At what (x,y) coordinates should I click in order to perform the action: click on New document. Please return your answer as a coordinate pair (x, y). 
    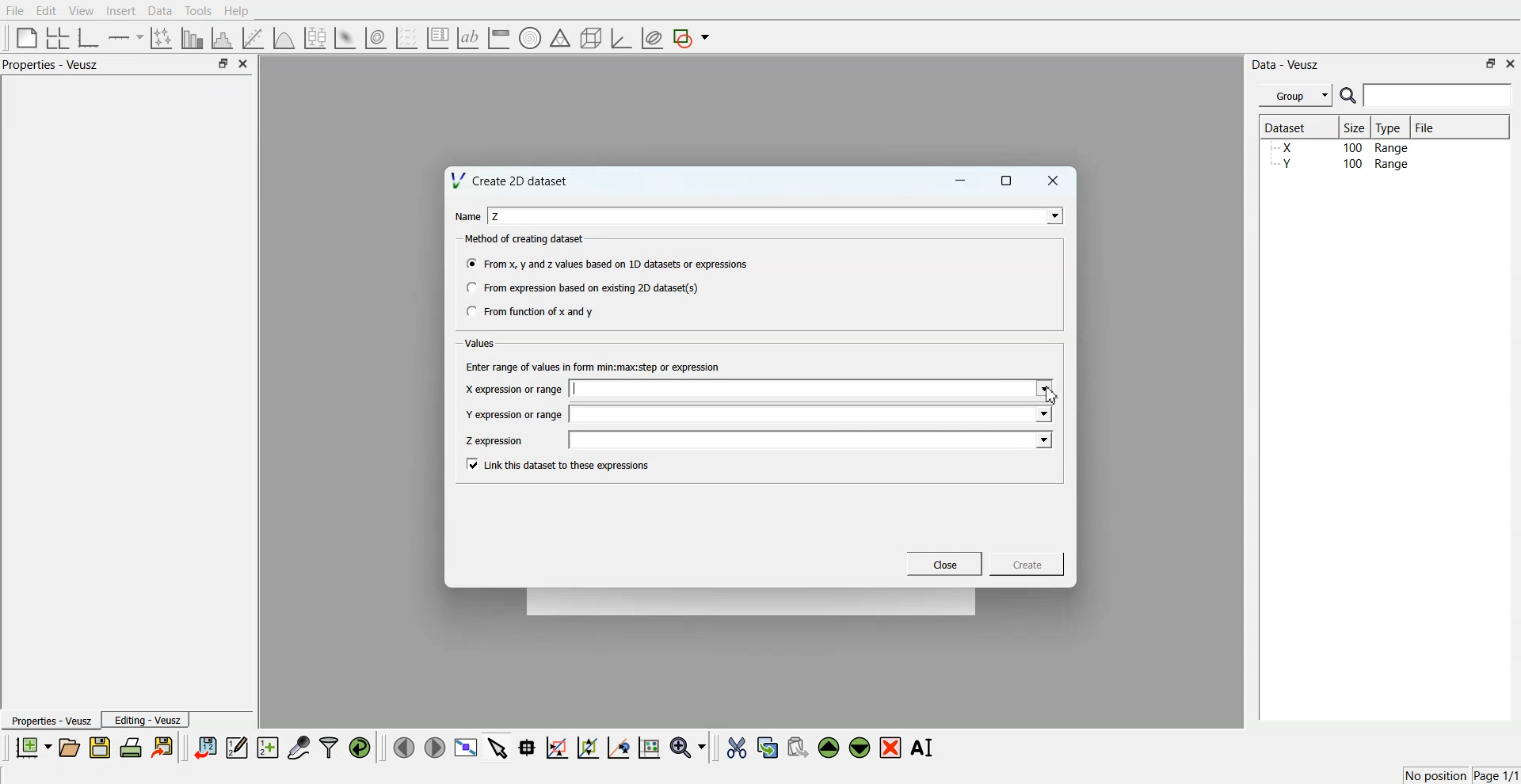
    Looking at the image, I should click on (32, 747).